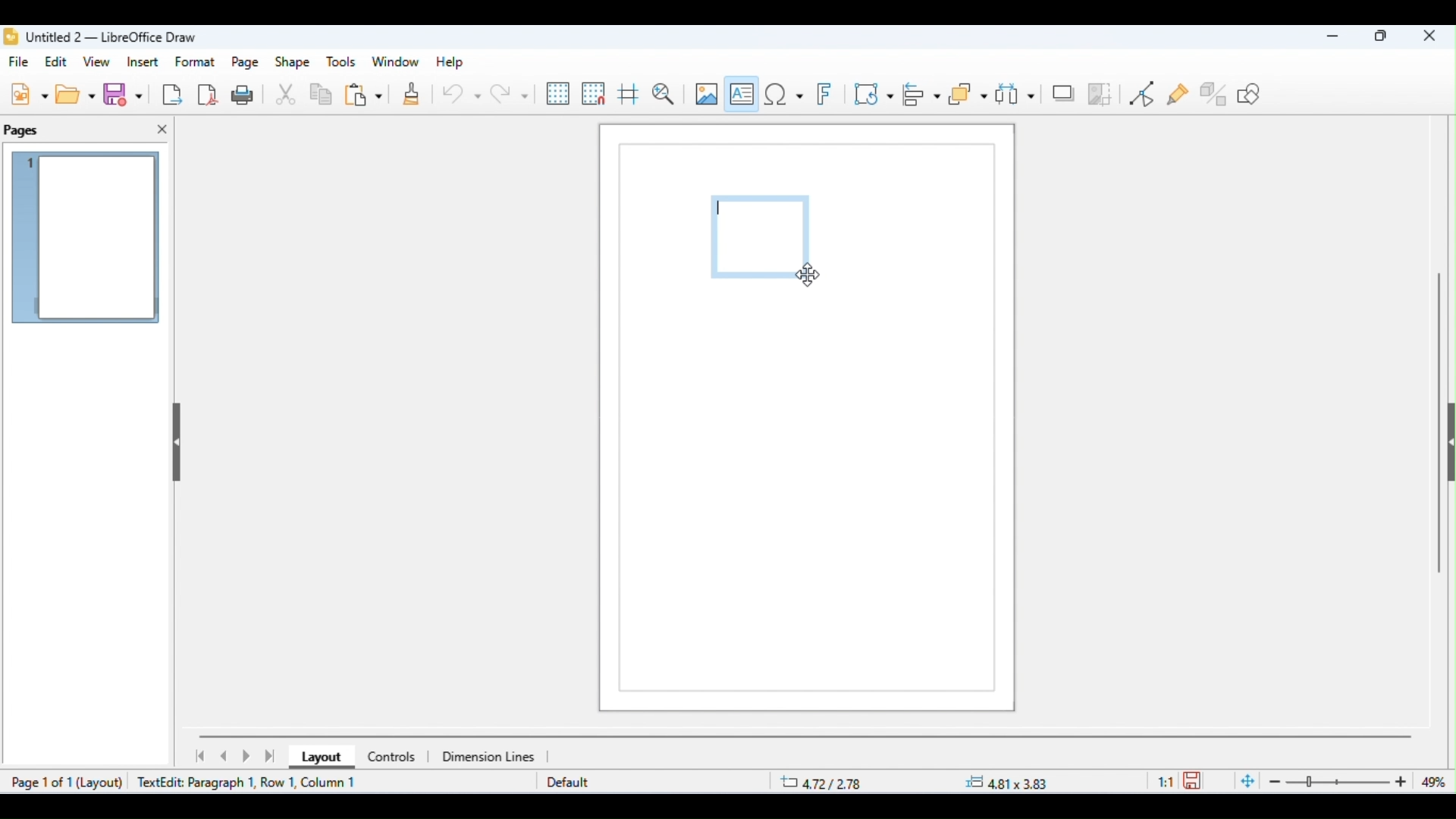 The height and width of the screenshot is (819, 1456). What do you see at coordinates (568, 783) in the screenshot?
I see `default` at bounding box center [568, 783].